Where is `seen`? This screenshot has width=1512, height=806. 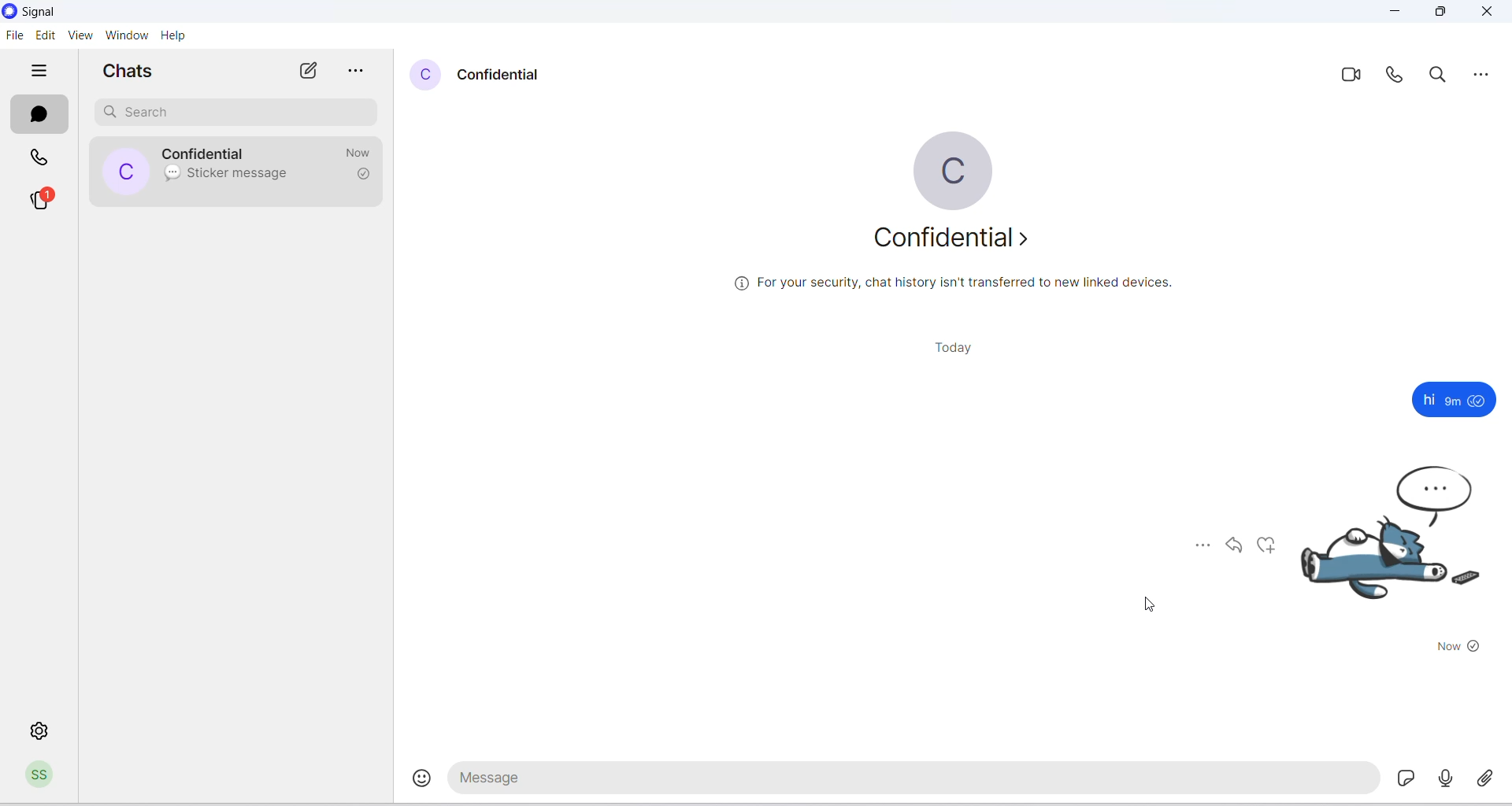
seen is located at coordinates (1479, 401).